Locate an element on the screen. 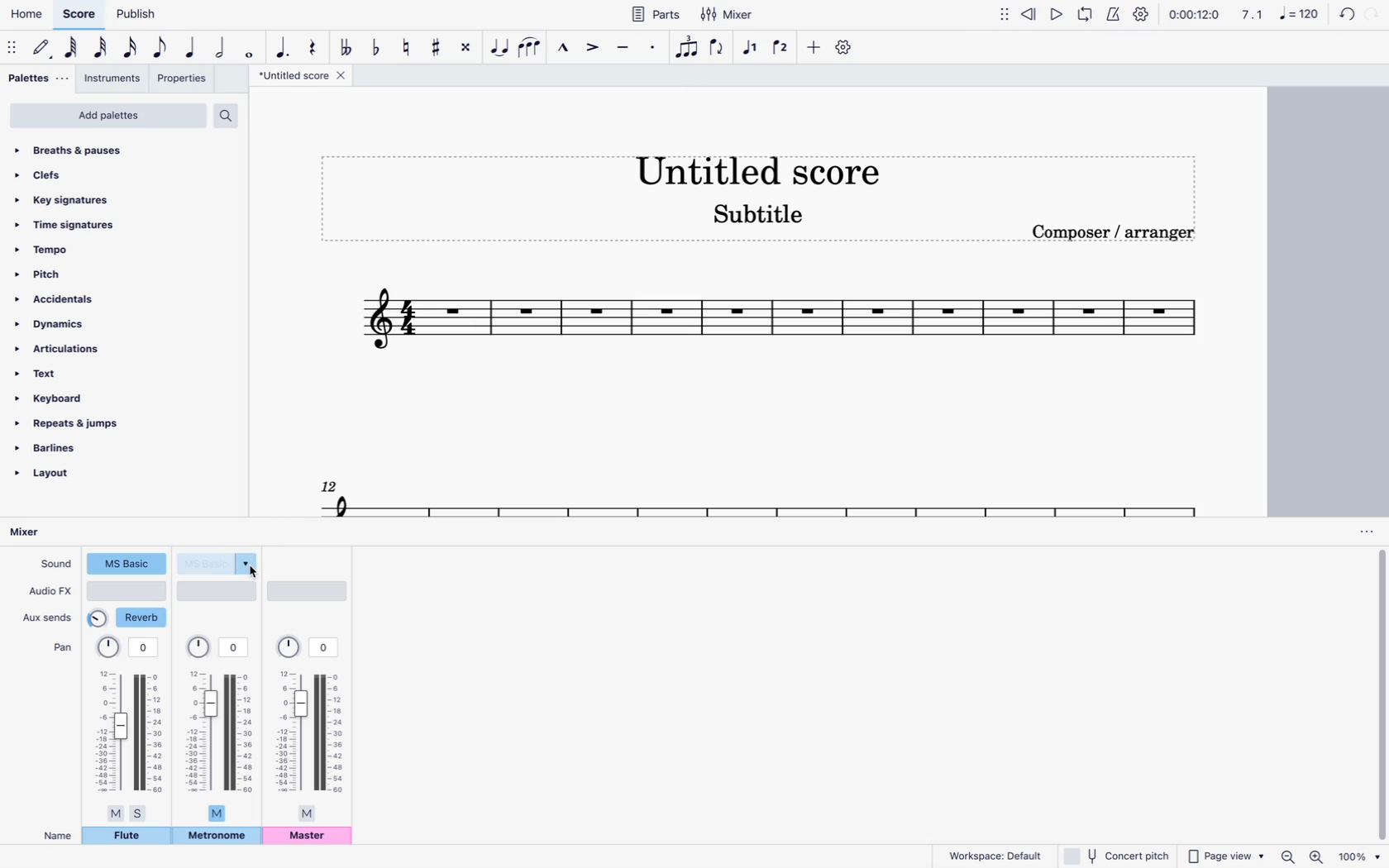 This screenshot has width=1389, height=868. pan is located at coordinates (312, 728).